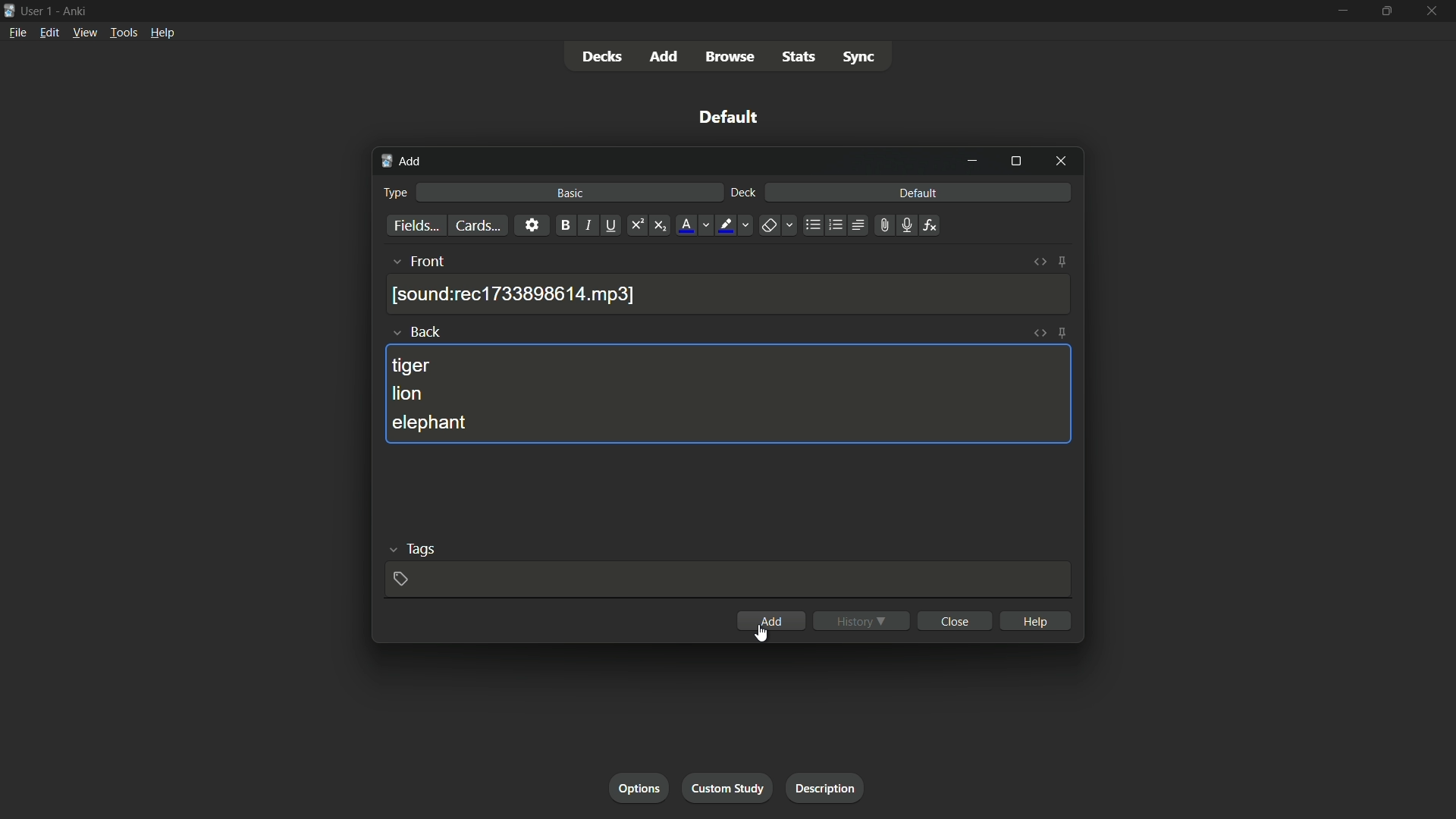 The image size is (1456, 819). I want to click on deck, so click(742, 193).